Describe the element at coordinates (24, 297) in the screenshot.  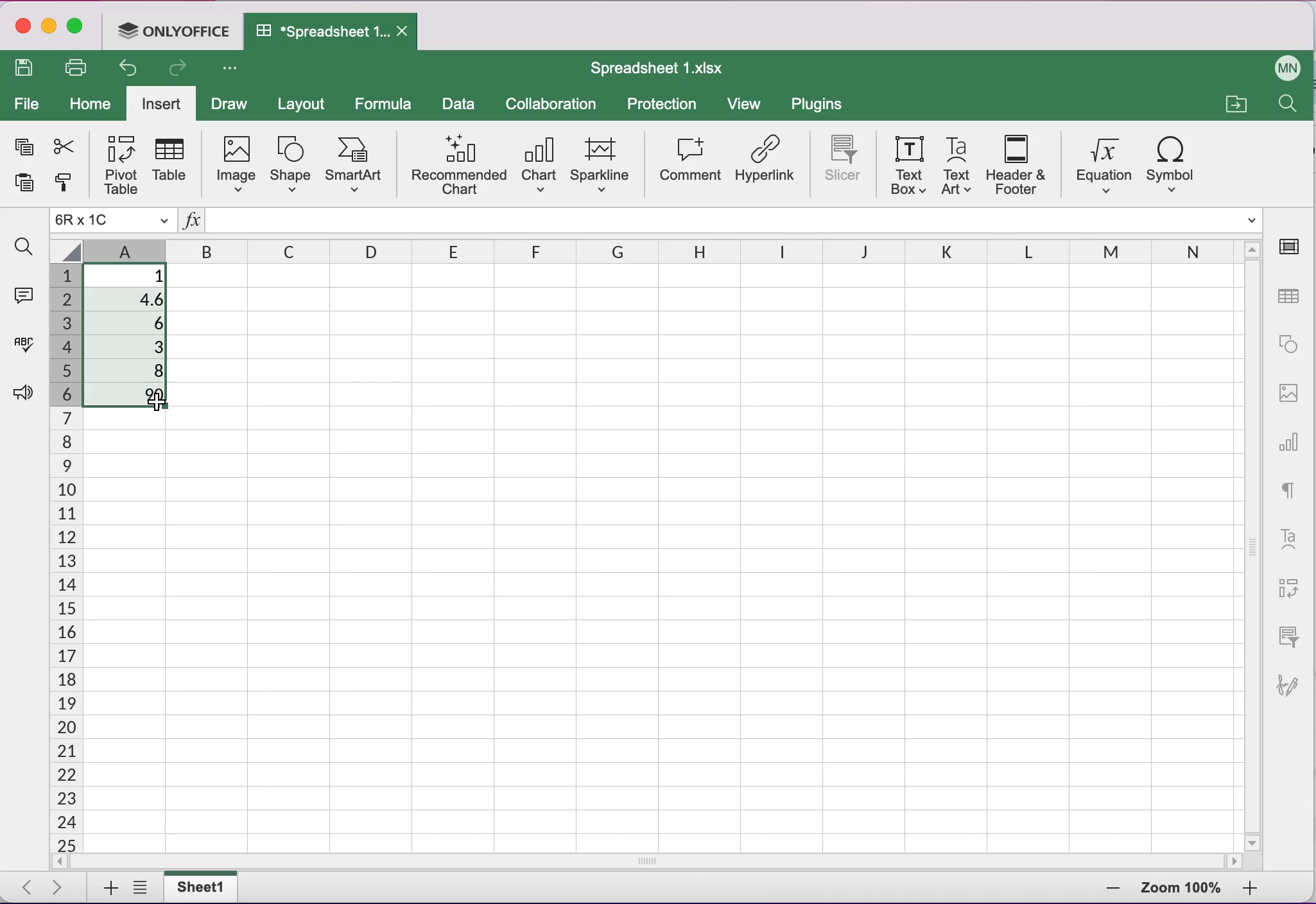
I see `comments` at that location.